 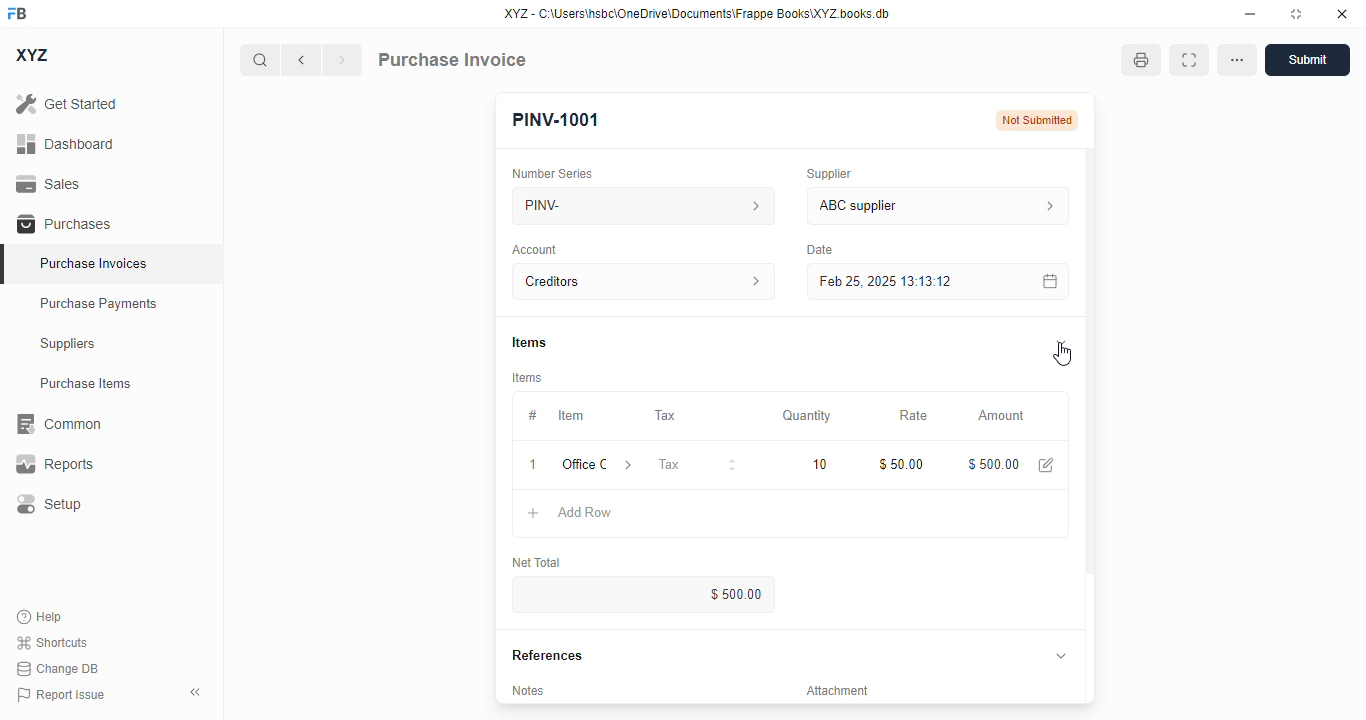 What do you see at coordinates (1045, 465) in the screenshot?
I see `edit` at bounding box center [1045, 465].